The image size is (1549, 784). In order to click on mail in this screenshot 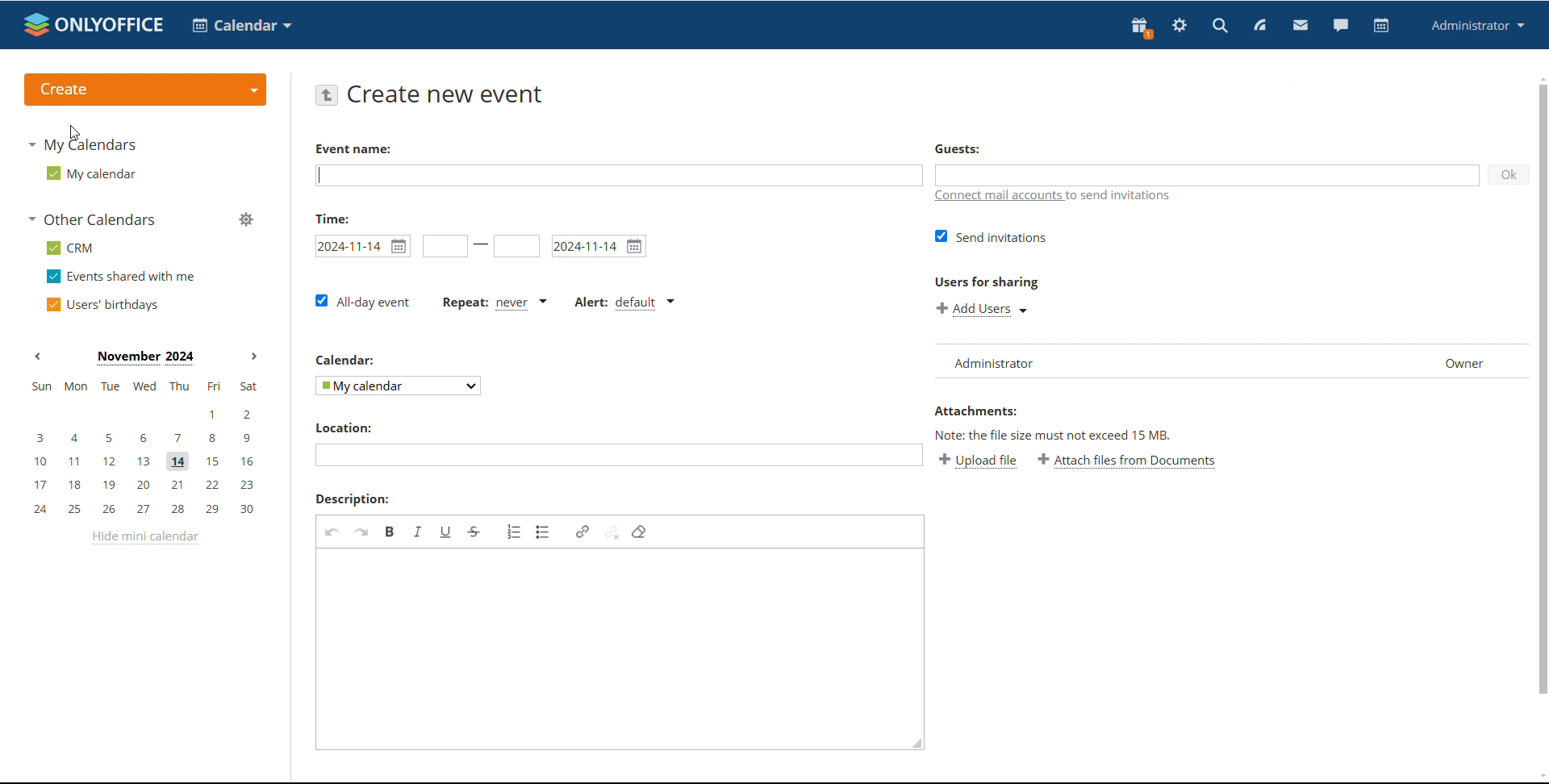, I will do `click(1301, 27)`.